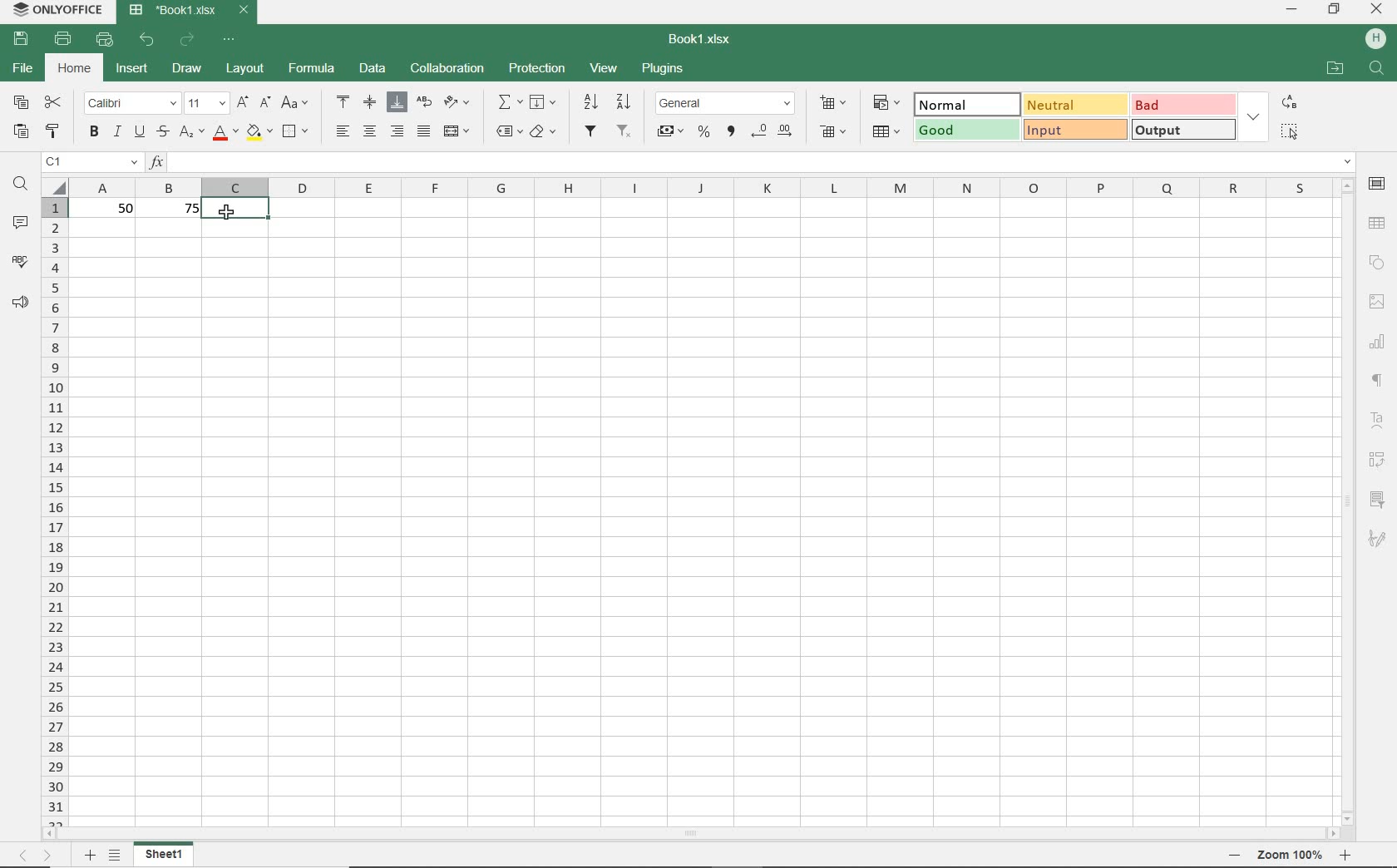  What do you see at coordinates (243, 101) in the screenshot?
I see `increment font size` at bounding box center [243, 101].